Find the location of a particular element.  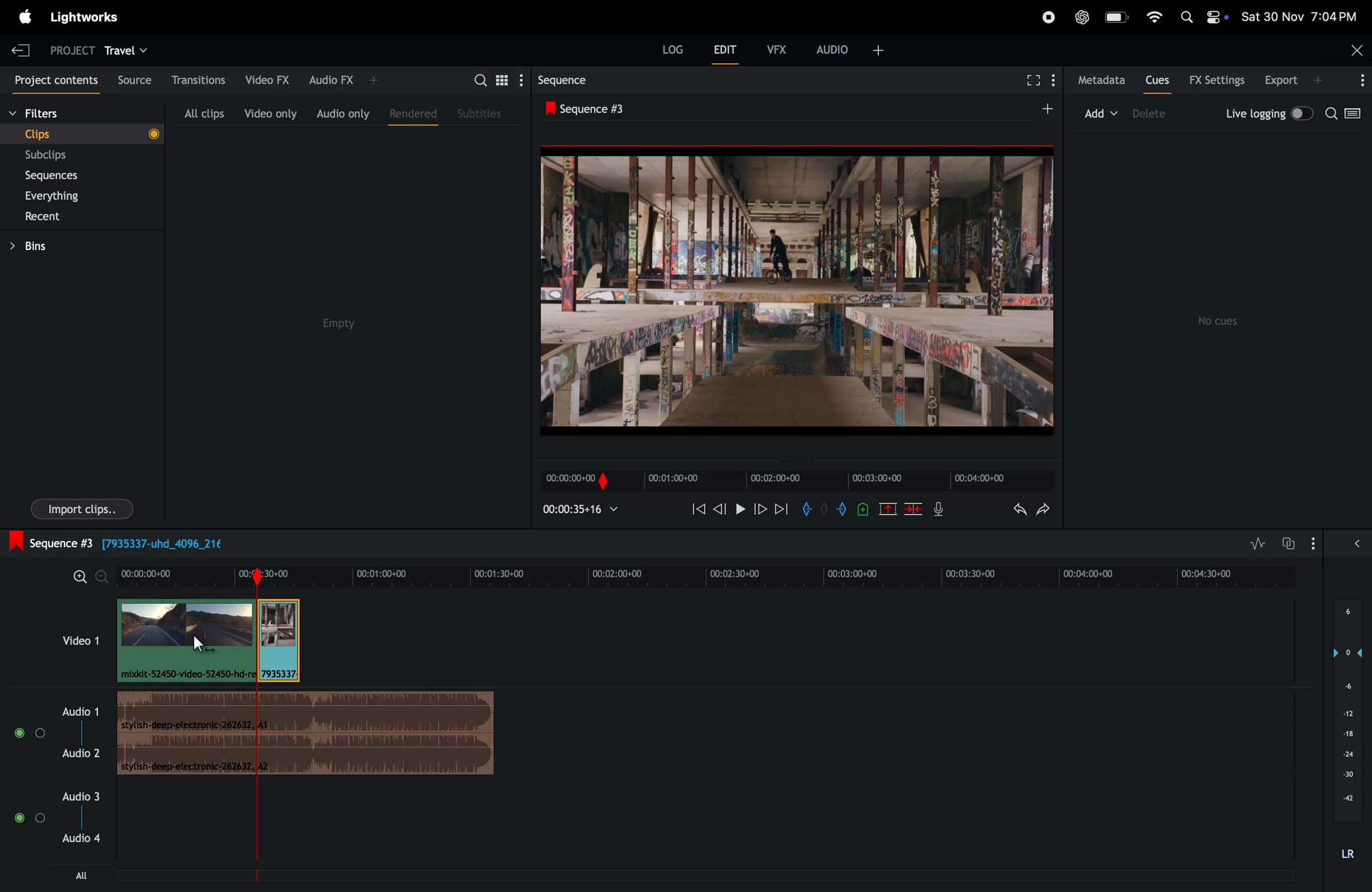

all clips is located at coordinates (203, 110).